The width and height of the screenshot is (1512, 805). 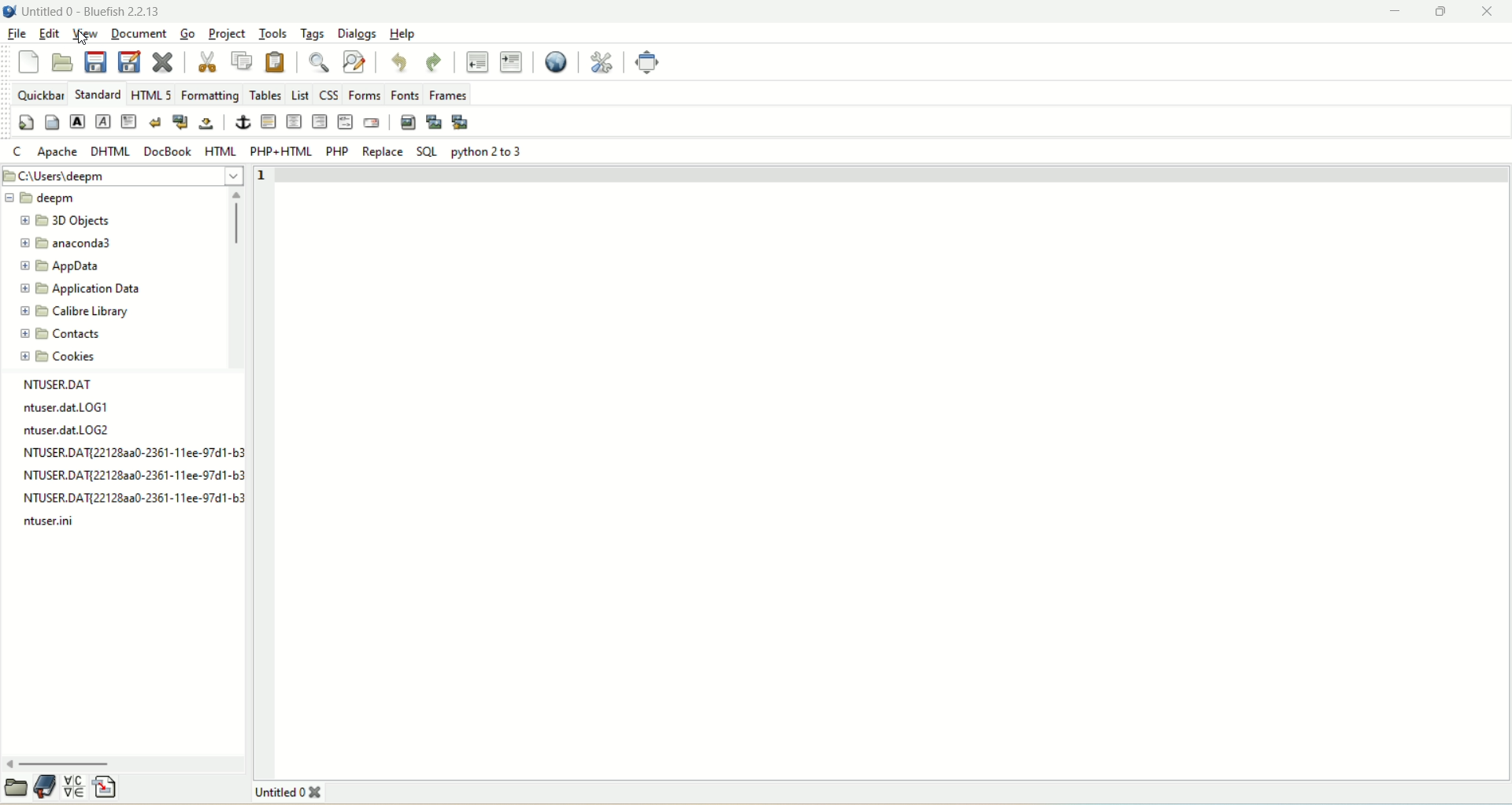 What do you see at coordinates (355, 62) in the screenshot?
I see `advanced find and replace` at bounding box center [355, 62].